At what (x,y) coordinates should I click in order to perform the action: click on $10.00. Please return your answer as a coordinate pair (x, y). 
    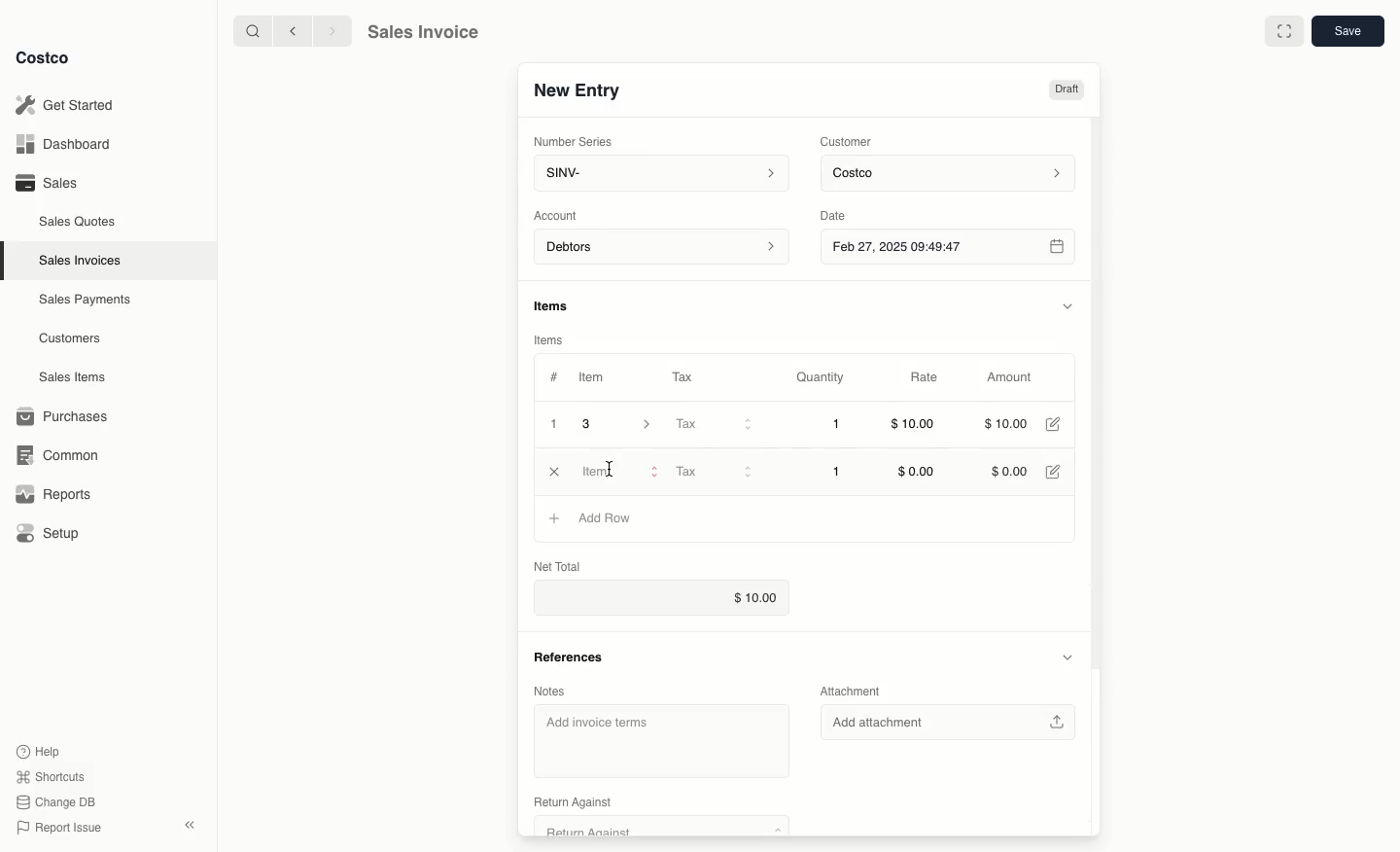
    Looking at the image, I should click on (914, 427).